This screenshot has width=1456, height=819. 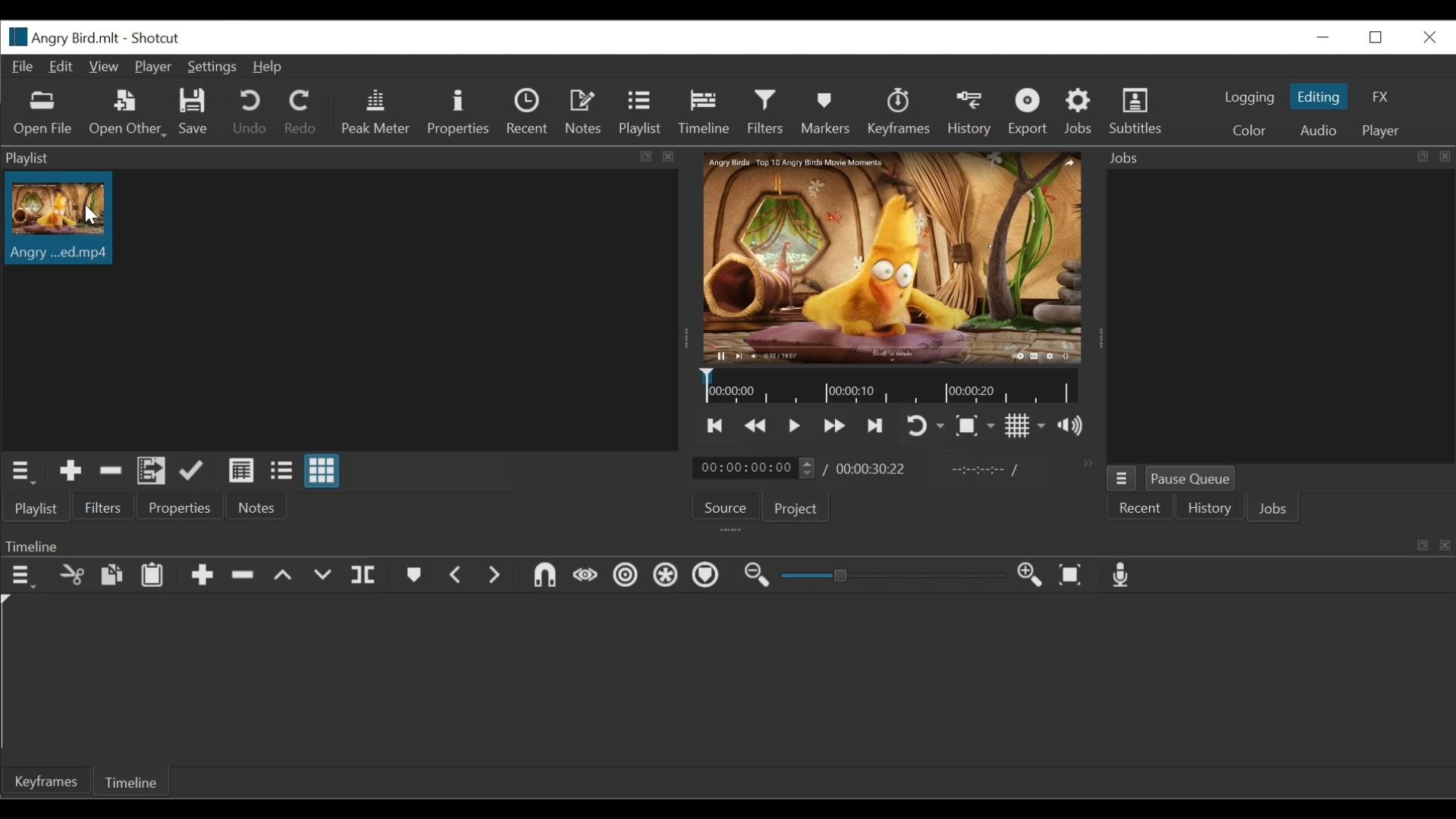 I want to click on Play quickly forward, so click(x=756, y=425).